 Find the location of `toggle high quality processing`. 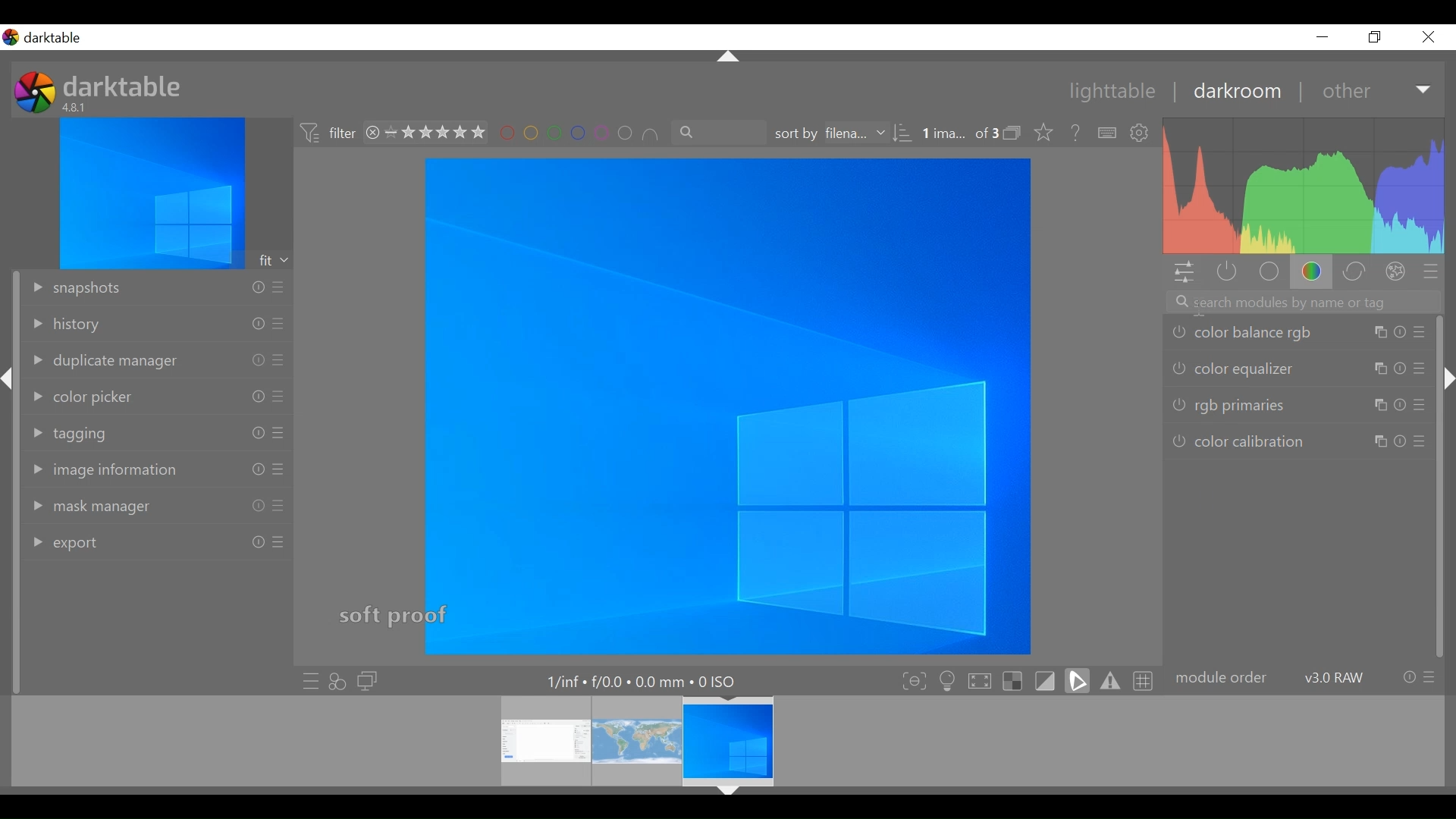

toggle high quality processing is located at coordinates (980, 679).